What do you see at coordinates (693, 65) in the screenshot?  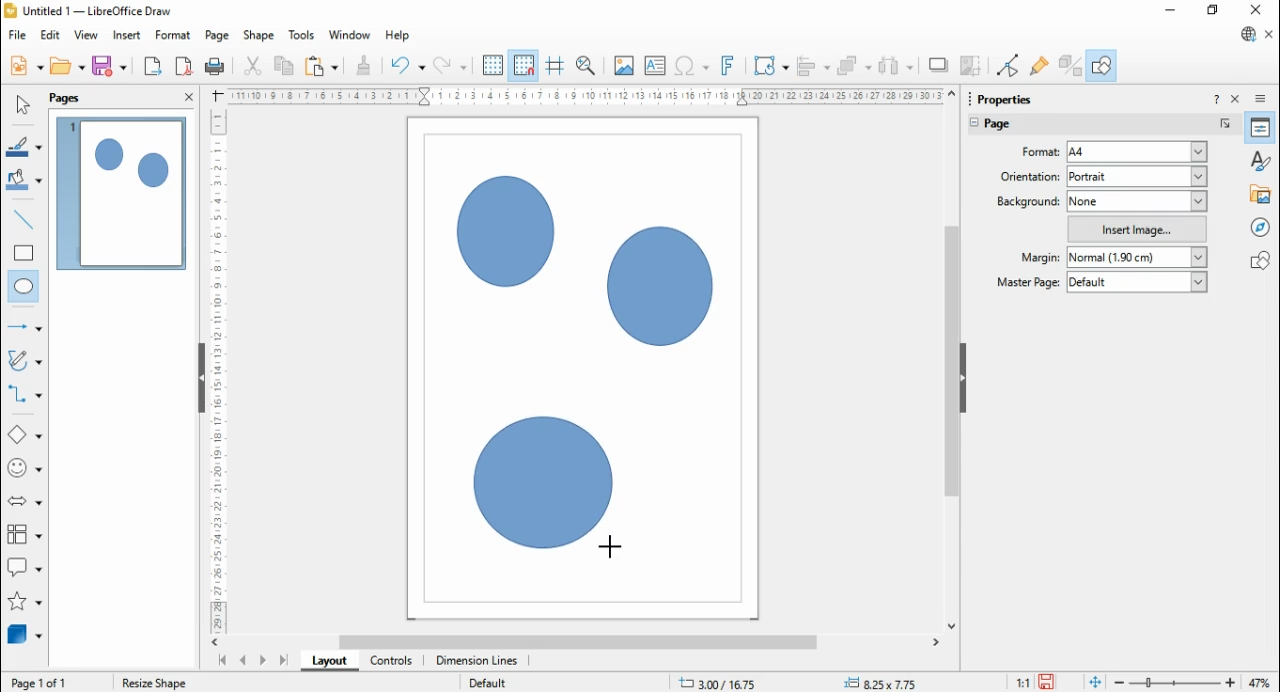 I see `insert special characters` at bounding box center [693, 65].